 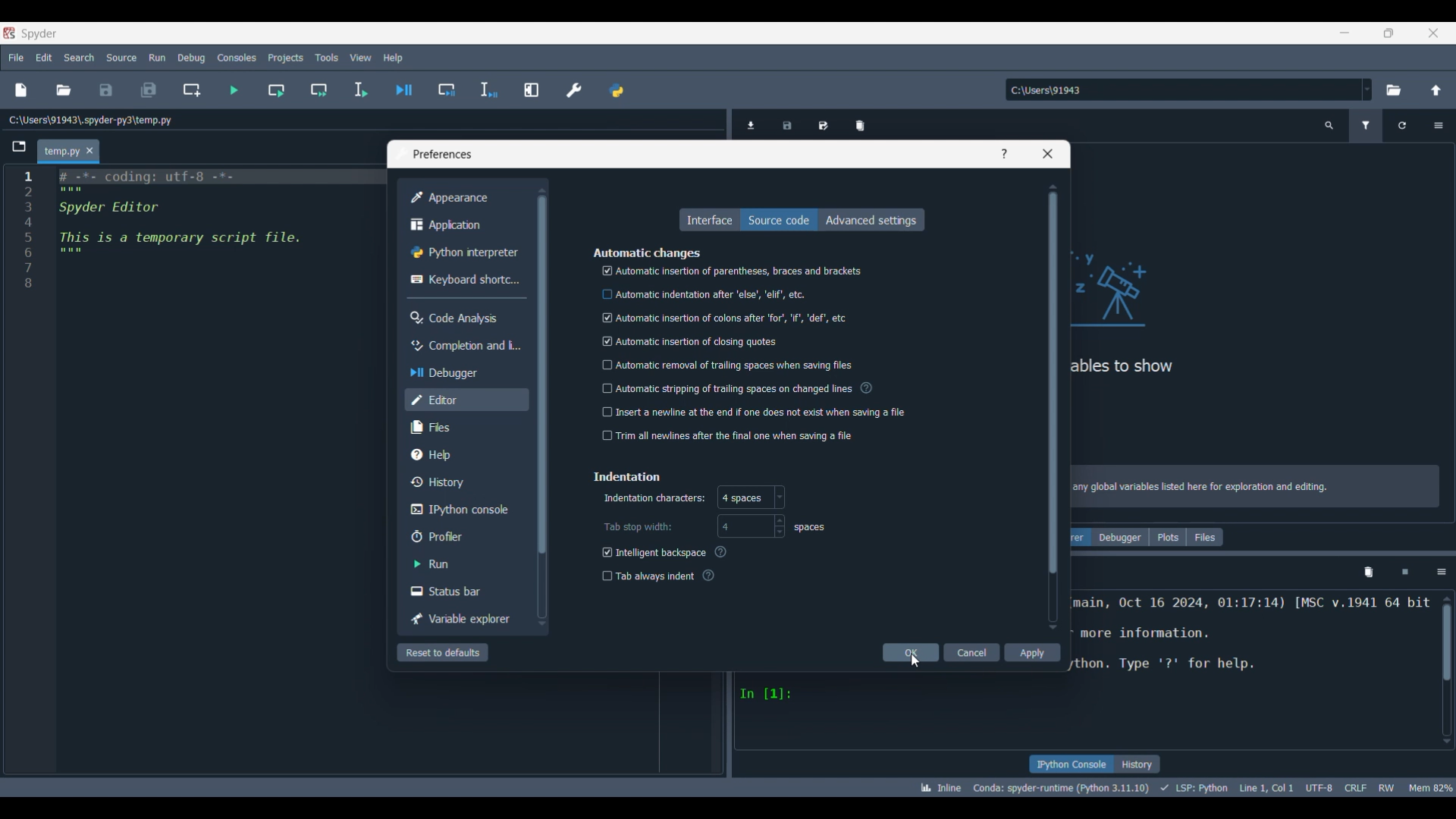 I want to click on Variable explorer, so click(x=463, y=619).